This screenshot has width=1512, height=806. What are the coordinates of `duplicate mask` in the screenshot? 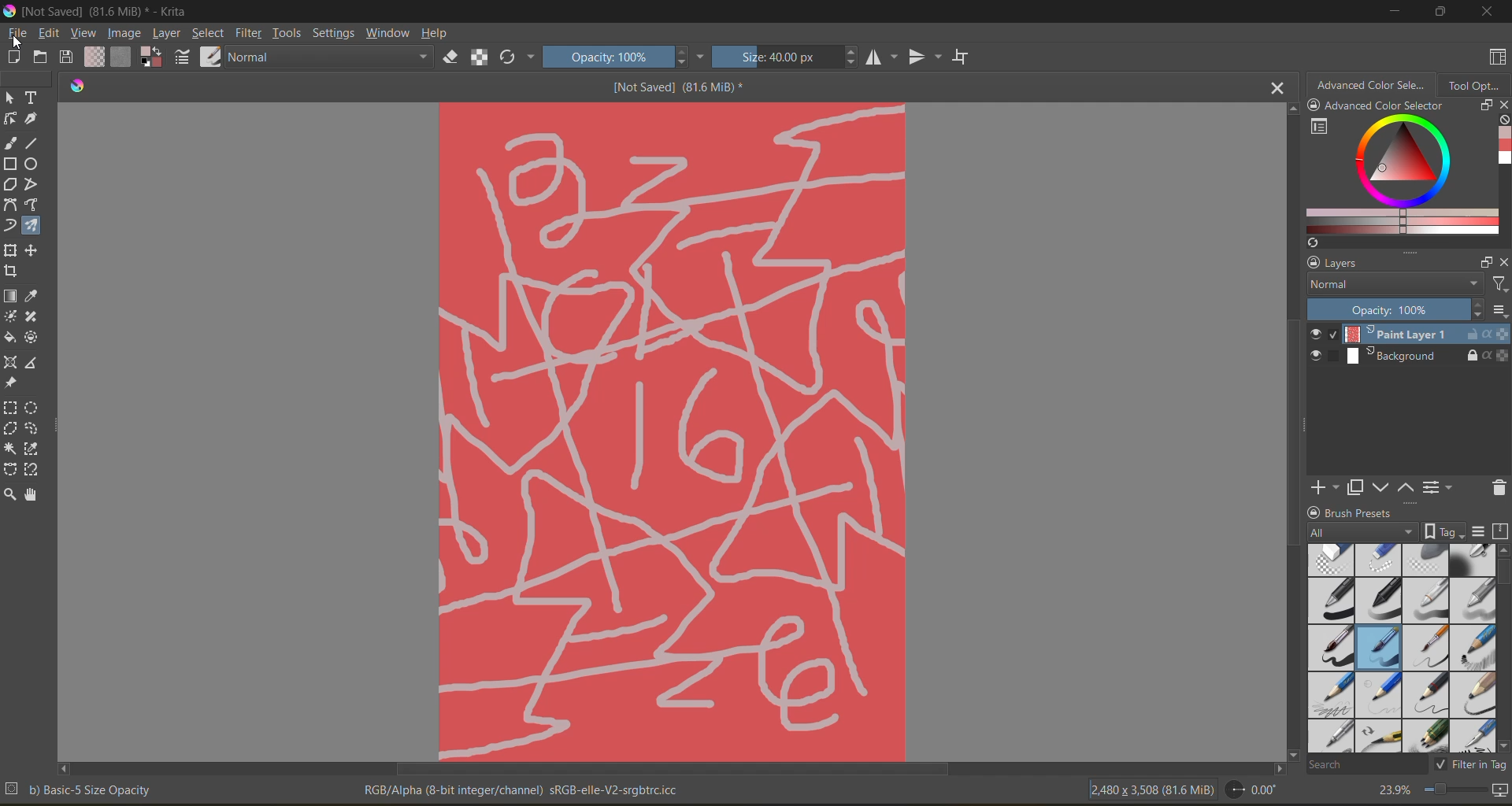 It's located at (1355, 488).